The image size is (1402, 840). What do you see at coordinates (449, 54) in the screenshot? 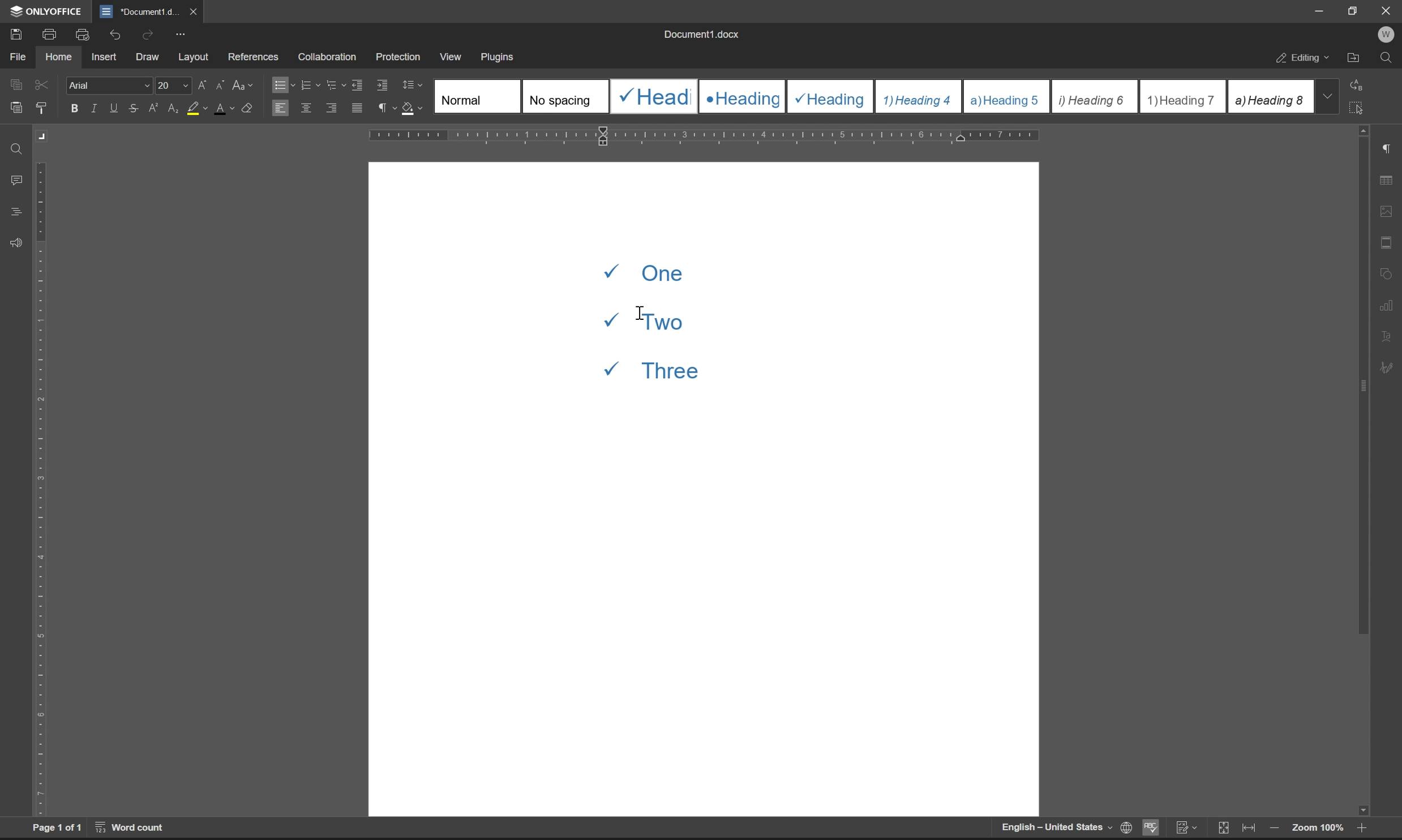
I see `view` at bounding box center [449, 54].